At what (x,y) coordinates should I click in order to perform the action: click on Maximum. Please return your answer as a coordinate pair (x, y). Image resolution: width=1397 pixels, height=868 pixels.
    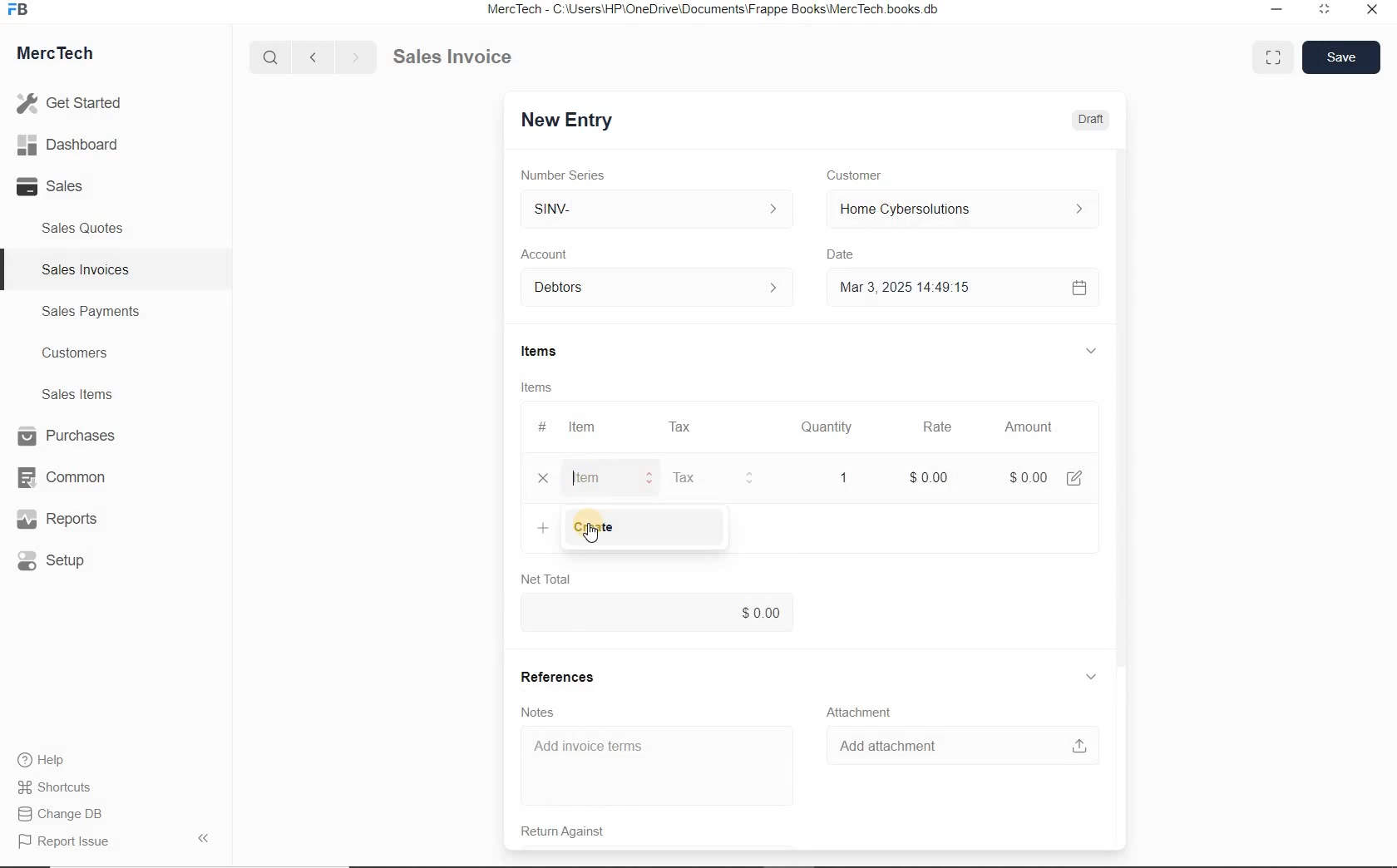
    Looking at the image, I should click on (1325, 12).